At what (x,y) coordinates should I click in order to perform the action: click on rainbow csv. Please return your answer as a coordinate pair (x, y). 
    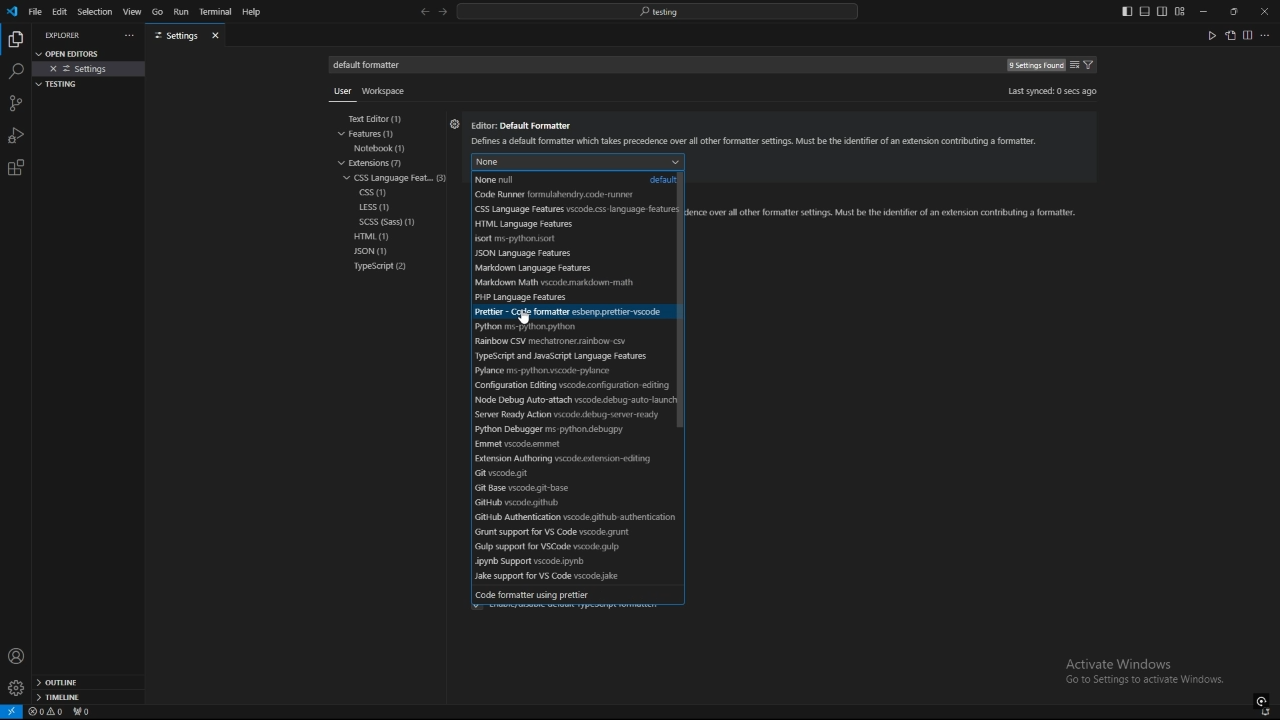
    Looking at the image, I should click on (556, 342).